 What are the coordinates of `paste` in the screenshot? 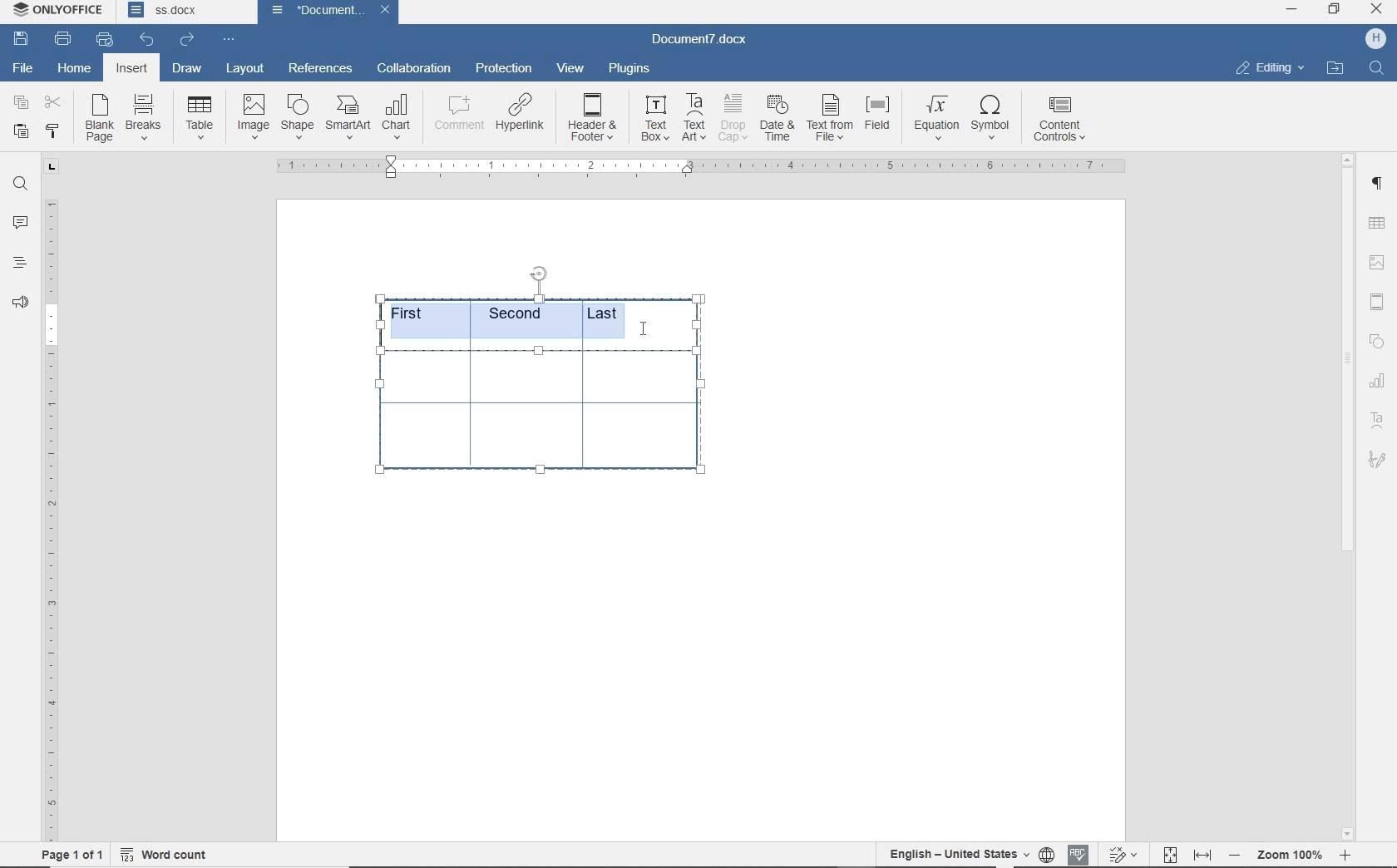 It's located at (20, 131).